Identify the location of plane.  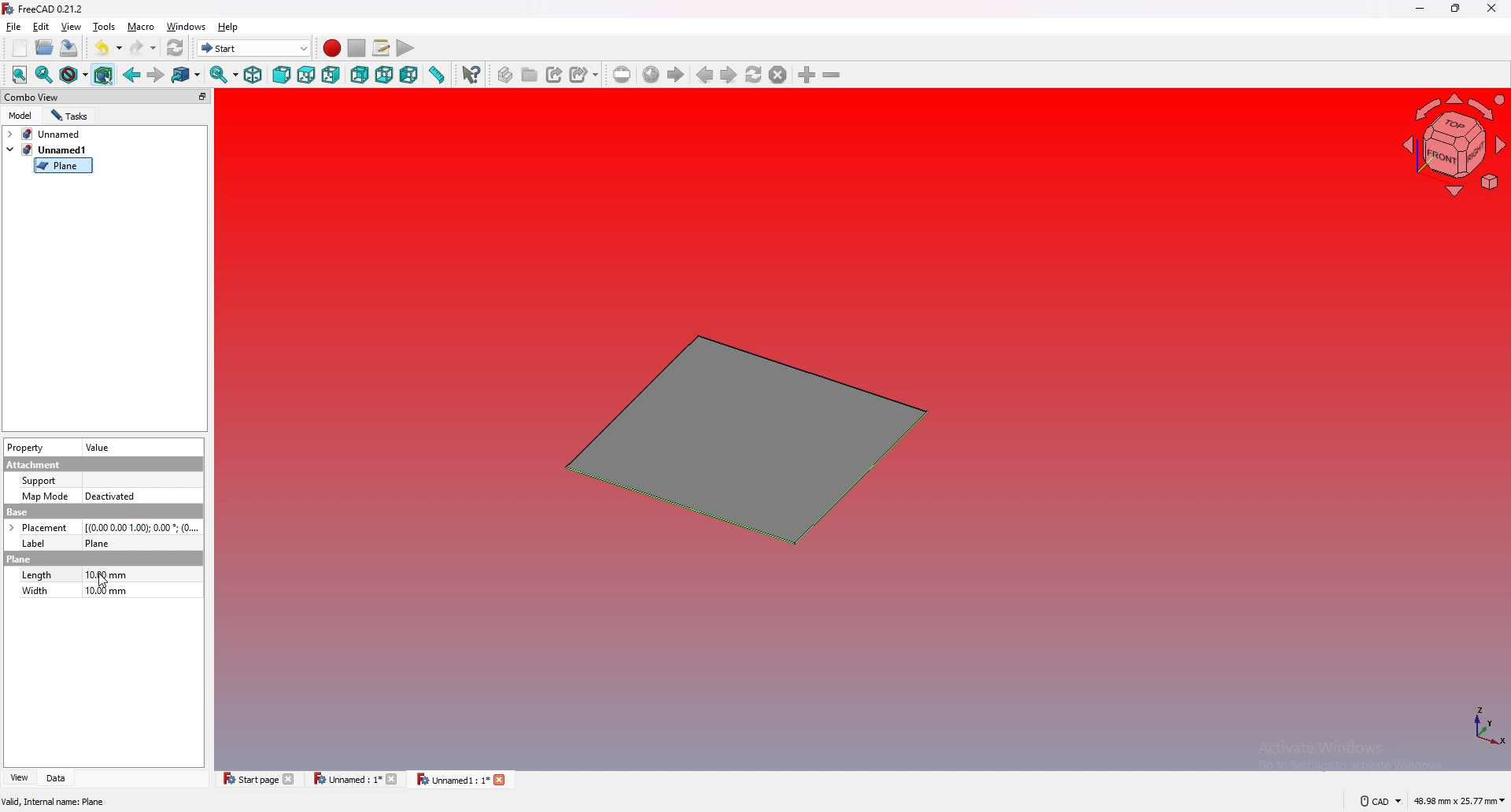
(104, 542).